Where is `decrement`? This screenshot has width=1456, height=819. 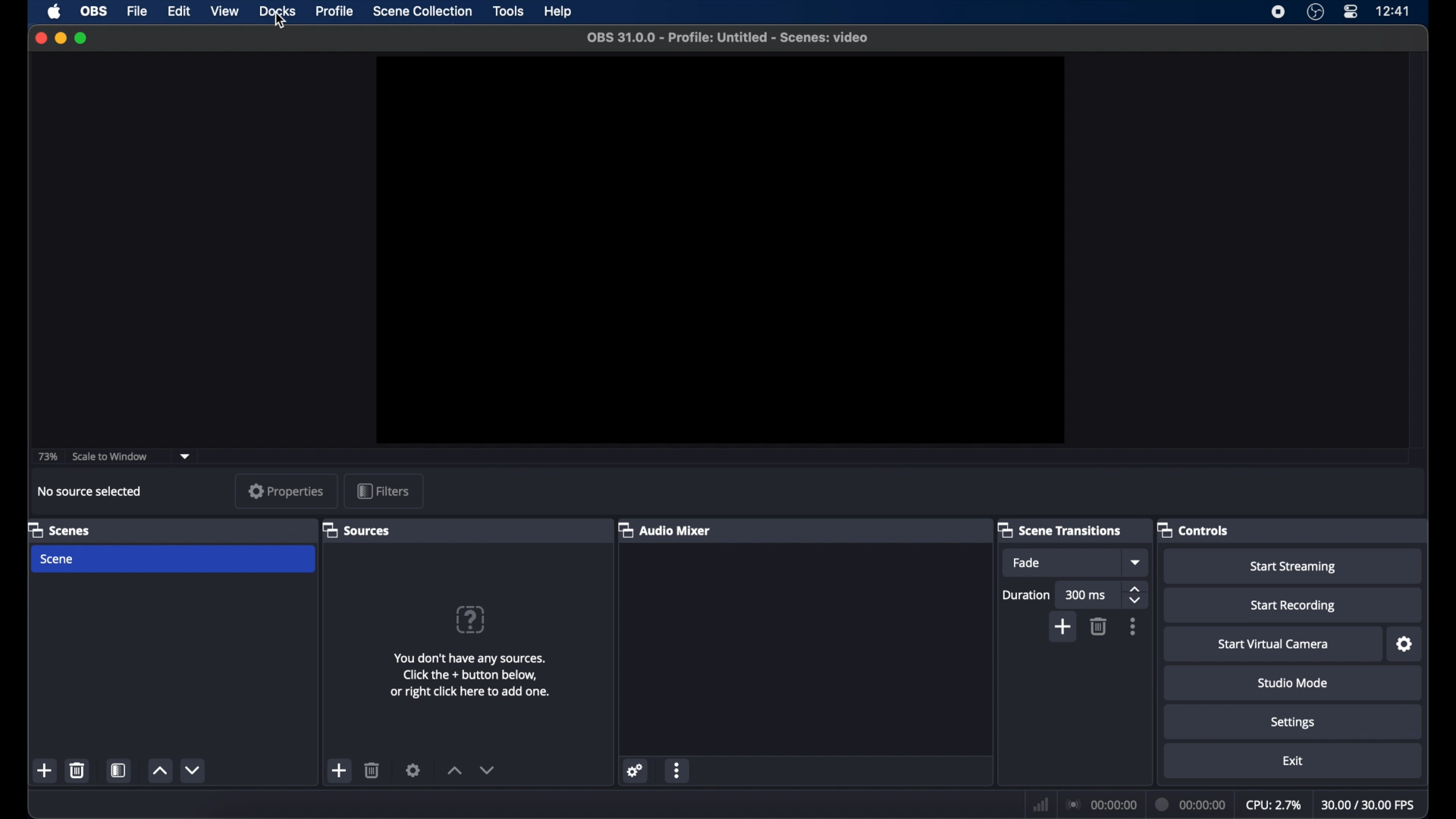 decrement is located at coordinates (488, 770).